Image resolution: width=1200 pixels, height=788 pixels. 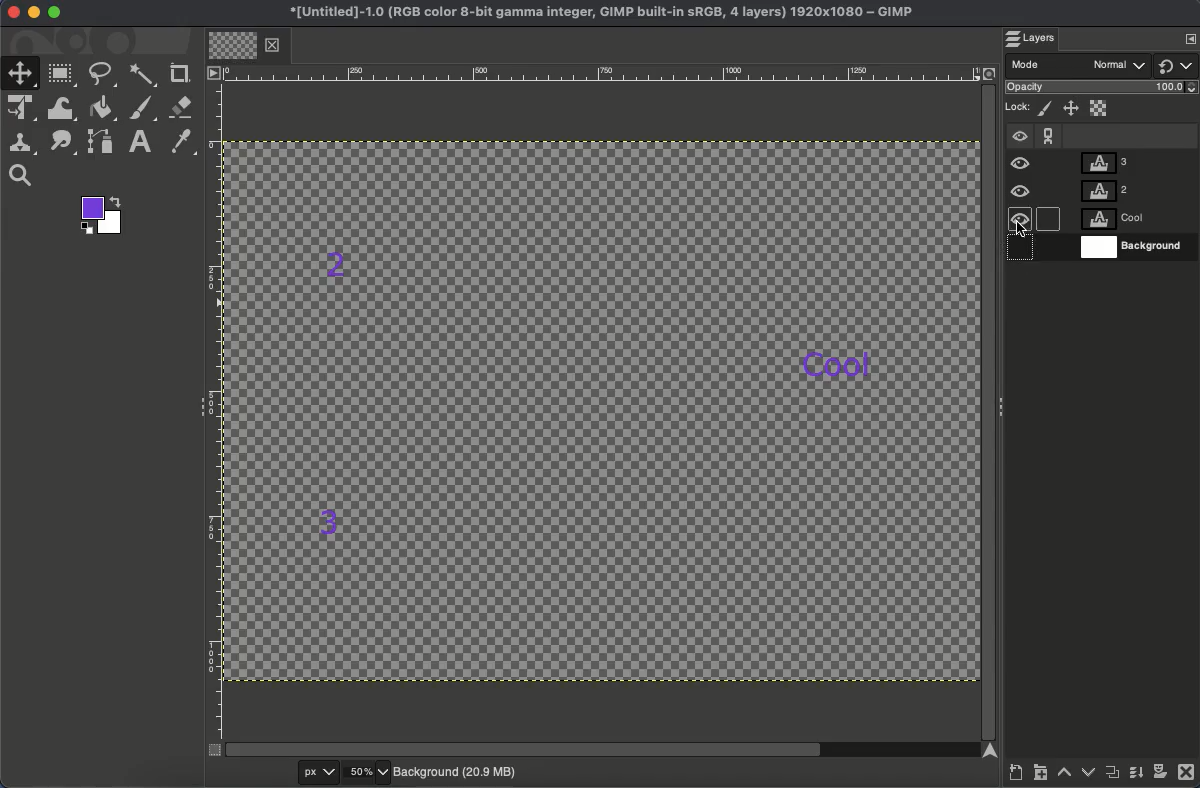 I want to click on Maximize, so click(x=55, y=15).